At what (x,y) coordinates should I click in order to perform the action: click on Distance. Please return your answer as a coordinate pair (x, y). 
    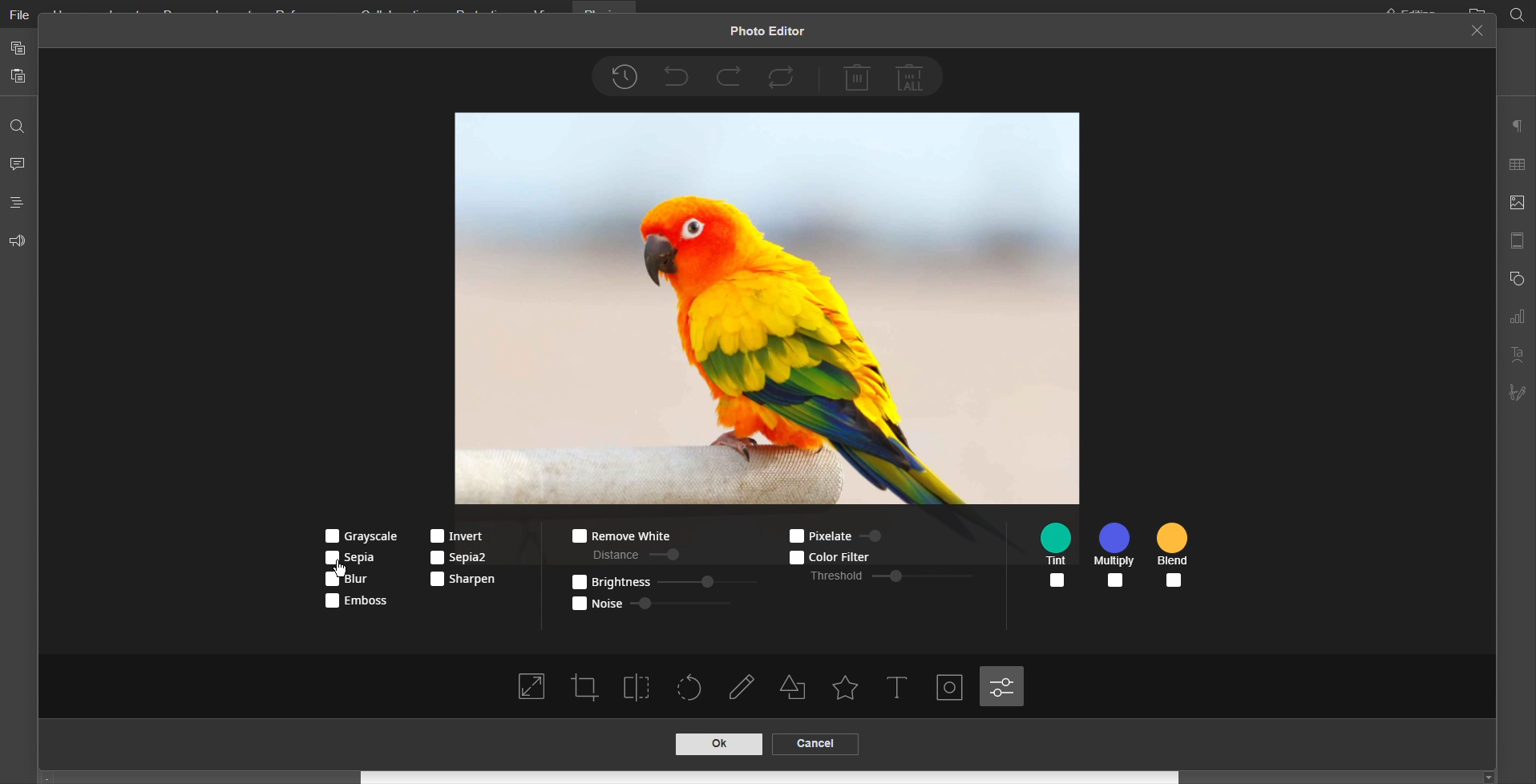
    Looking at the image, I should click on (632, 553).